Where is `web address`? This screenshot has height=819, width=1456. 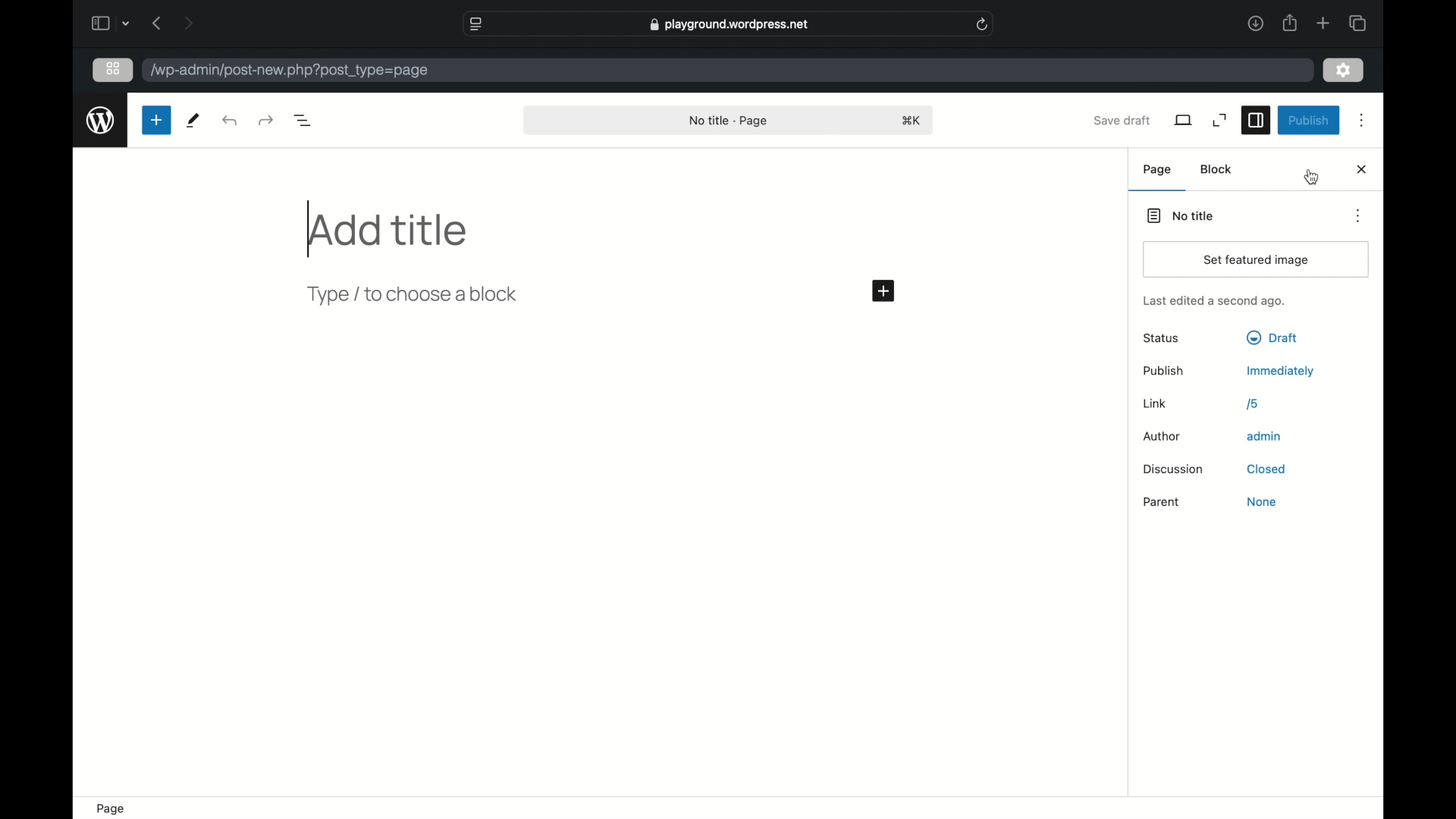
web address is located at coordinates (730, 24).